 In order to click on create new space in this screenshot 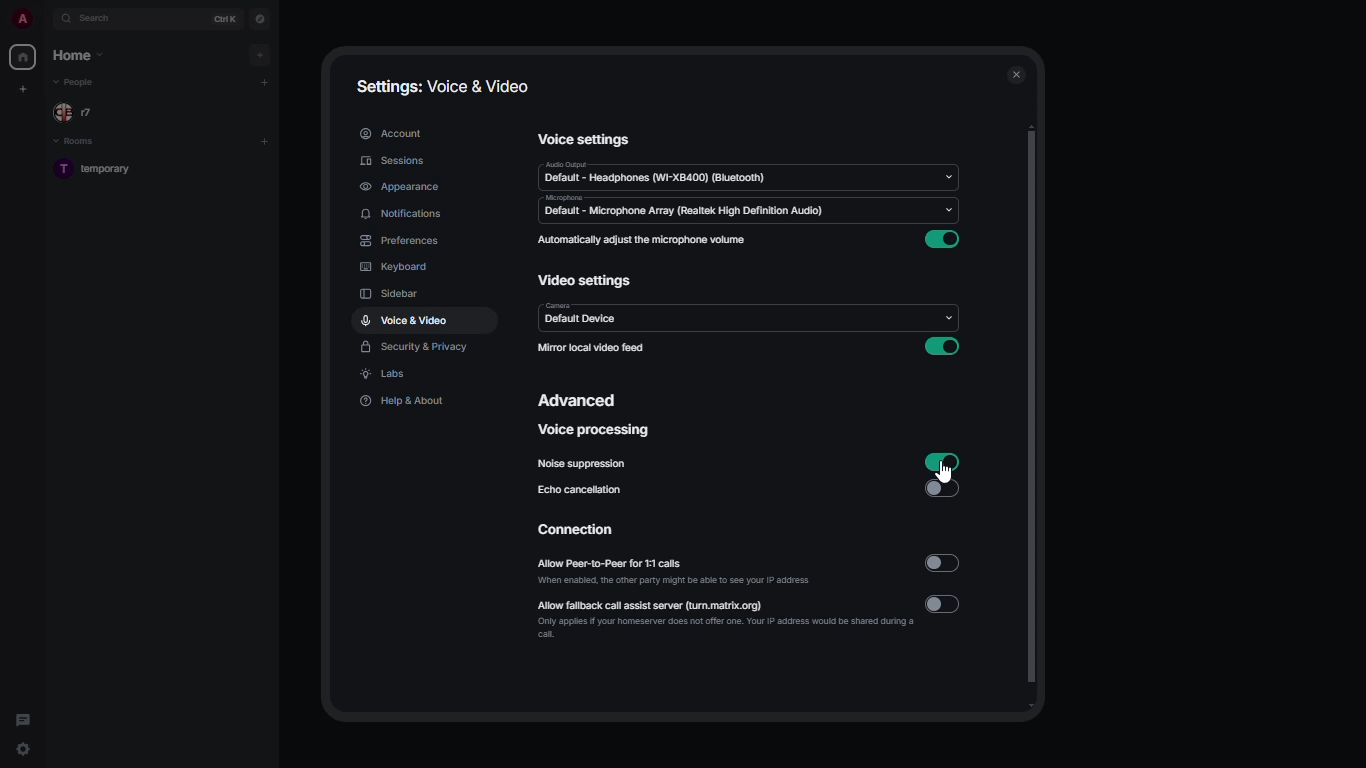, I will do `click(23, 88)`.